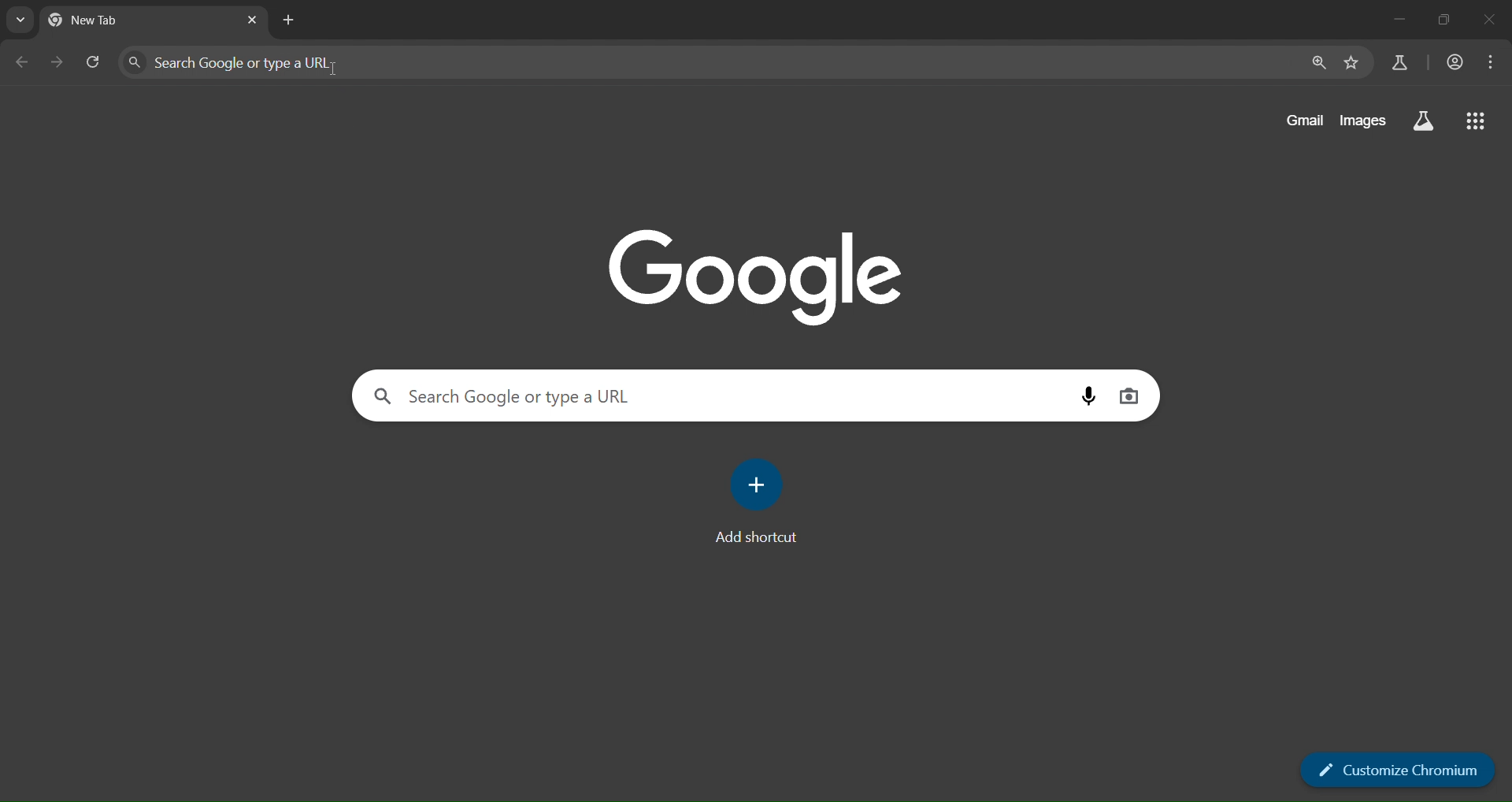  Describe the element at coordinates (1365, 121) in the screenshot. I see `images` at that location.